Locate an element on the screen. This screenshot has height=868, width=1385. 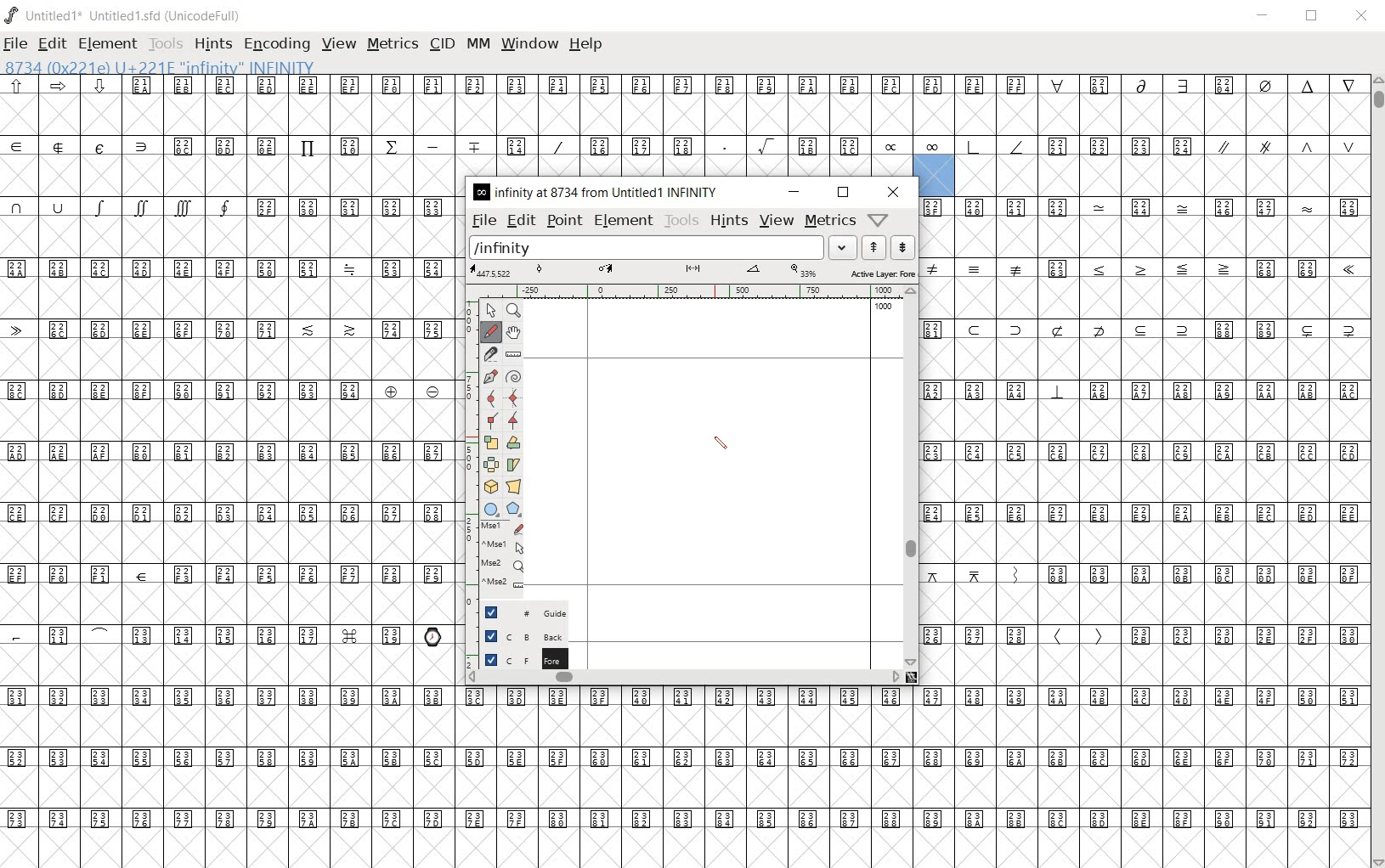
Unicode code points is located at coordinates (1259, 573).